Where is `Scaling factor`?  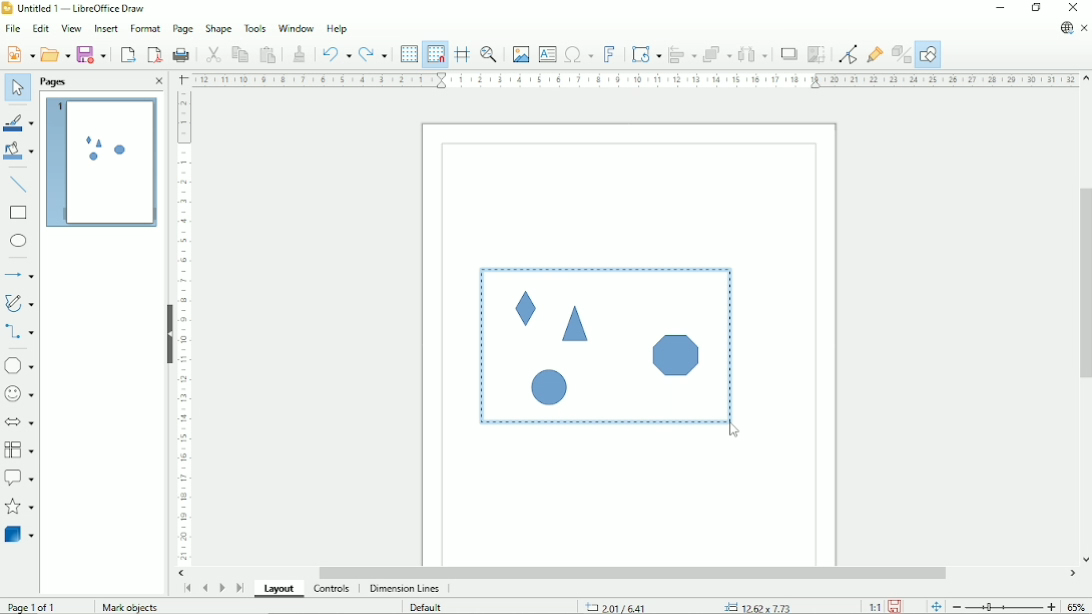 Scaling factor is located at coordinates (874, 606).